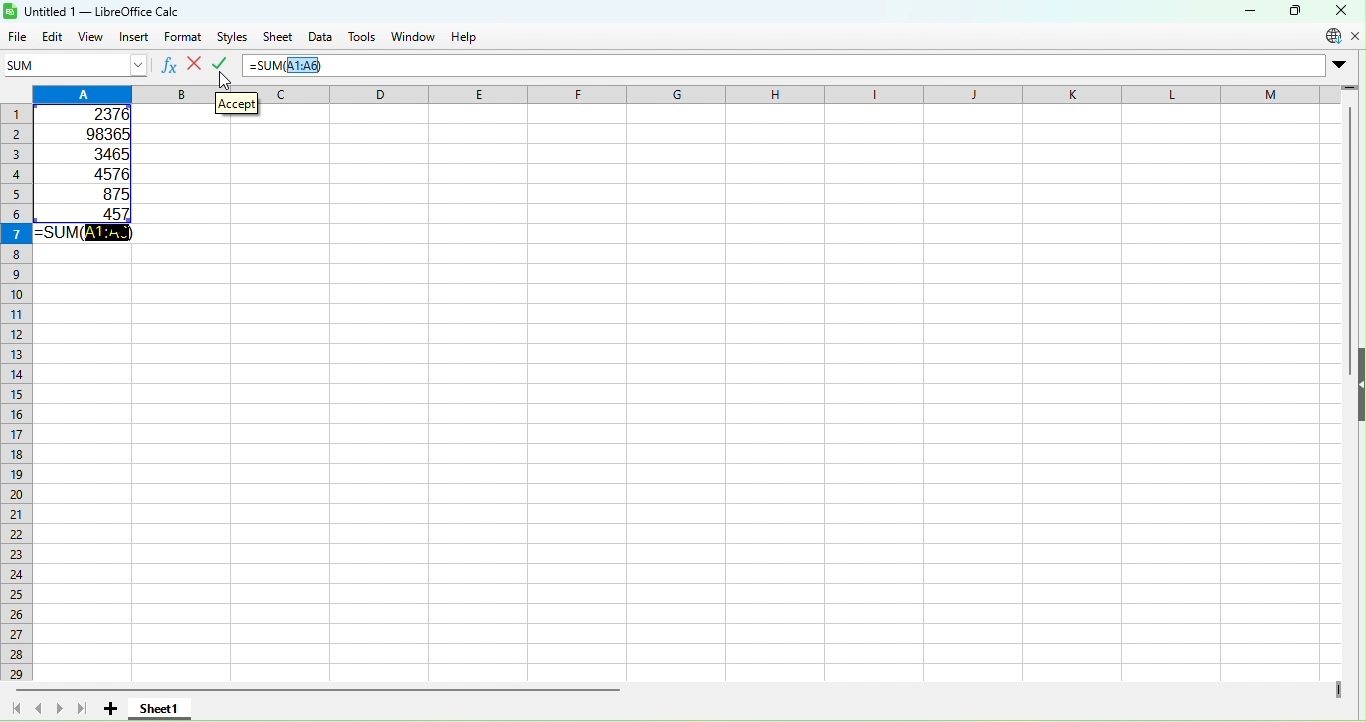  Describe the element at coordinates (195, 63) in the screenshot. I see `Reject` at that location.